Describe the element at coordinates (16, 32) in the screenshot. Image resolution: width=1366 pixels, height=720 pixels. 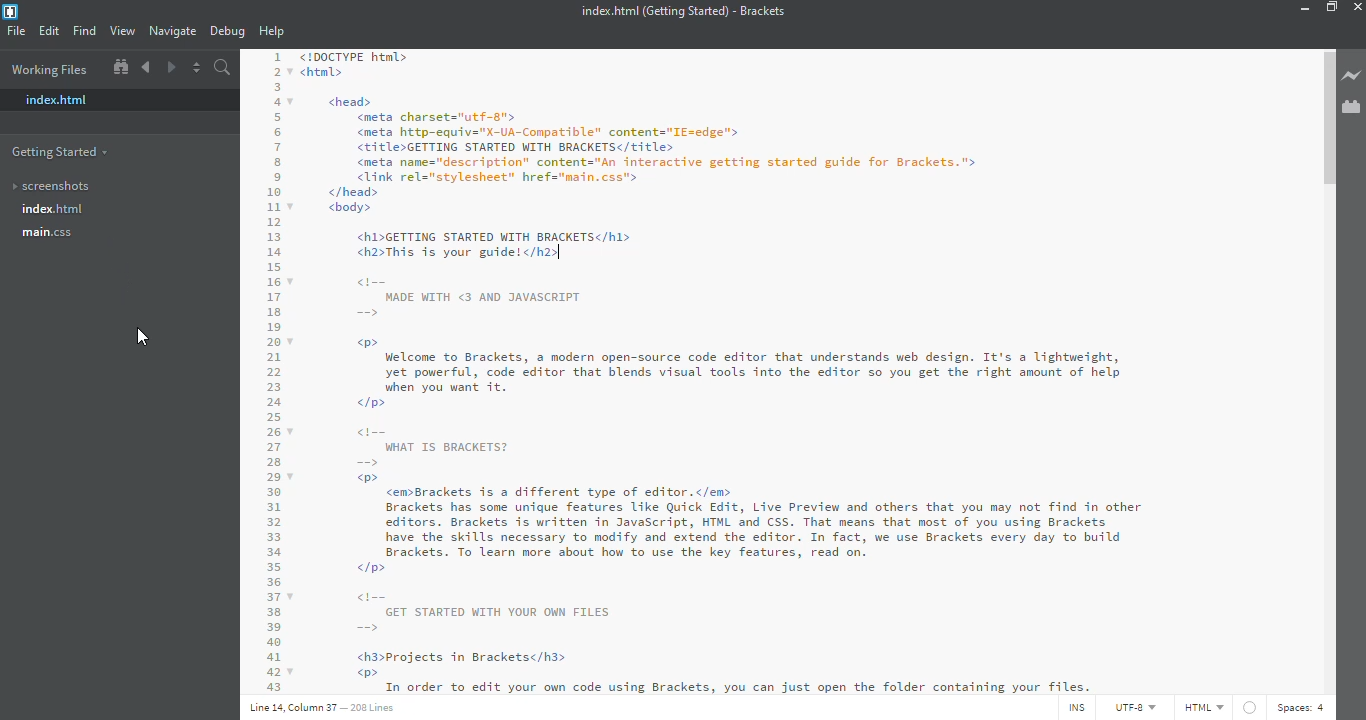
I see `file` at that location.